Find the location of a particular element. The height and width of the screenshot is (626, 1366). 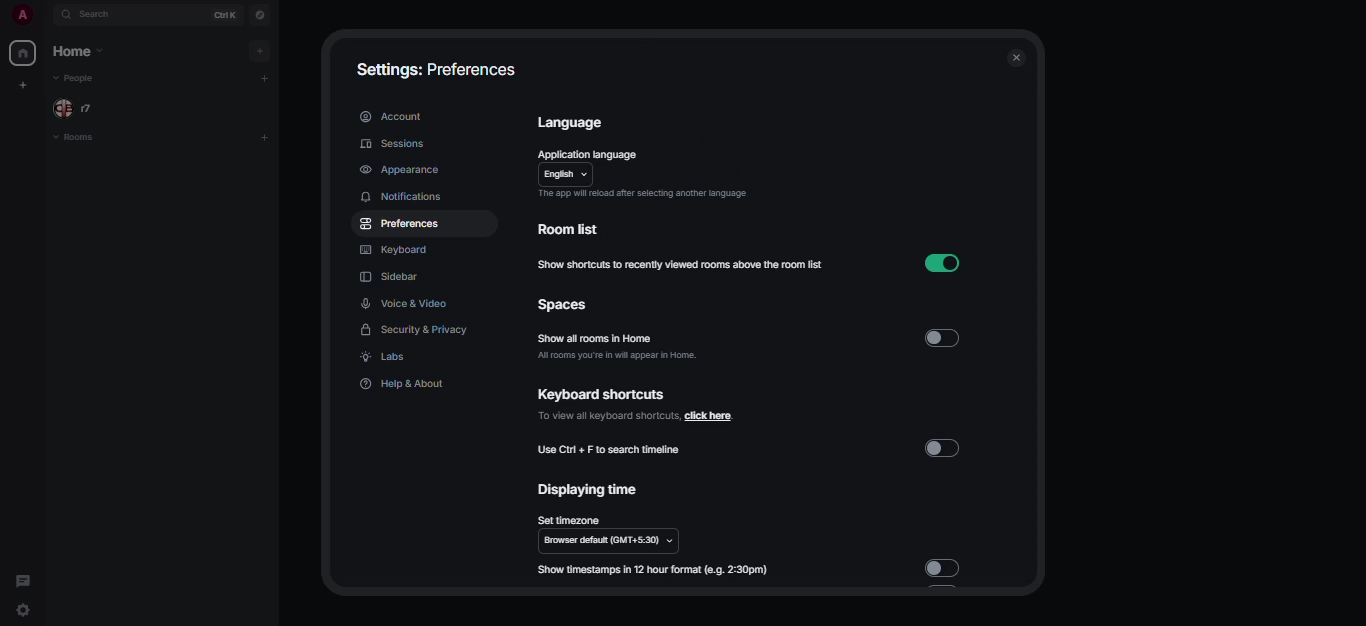

add is located at coordinates (259, 51).